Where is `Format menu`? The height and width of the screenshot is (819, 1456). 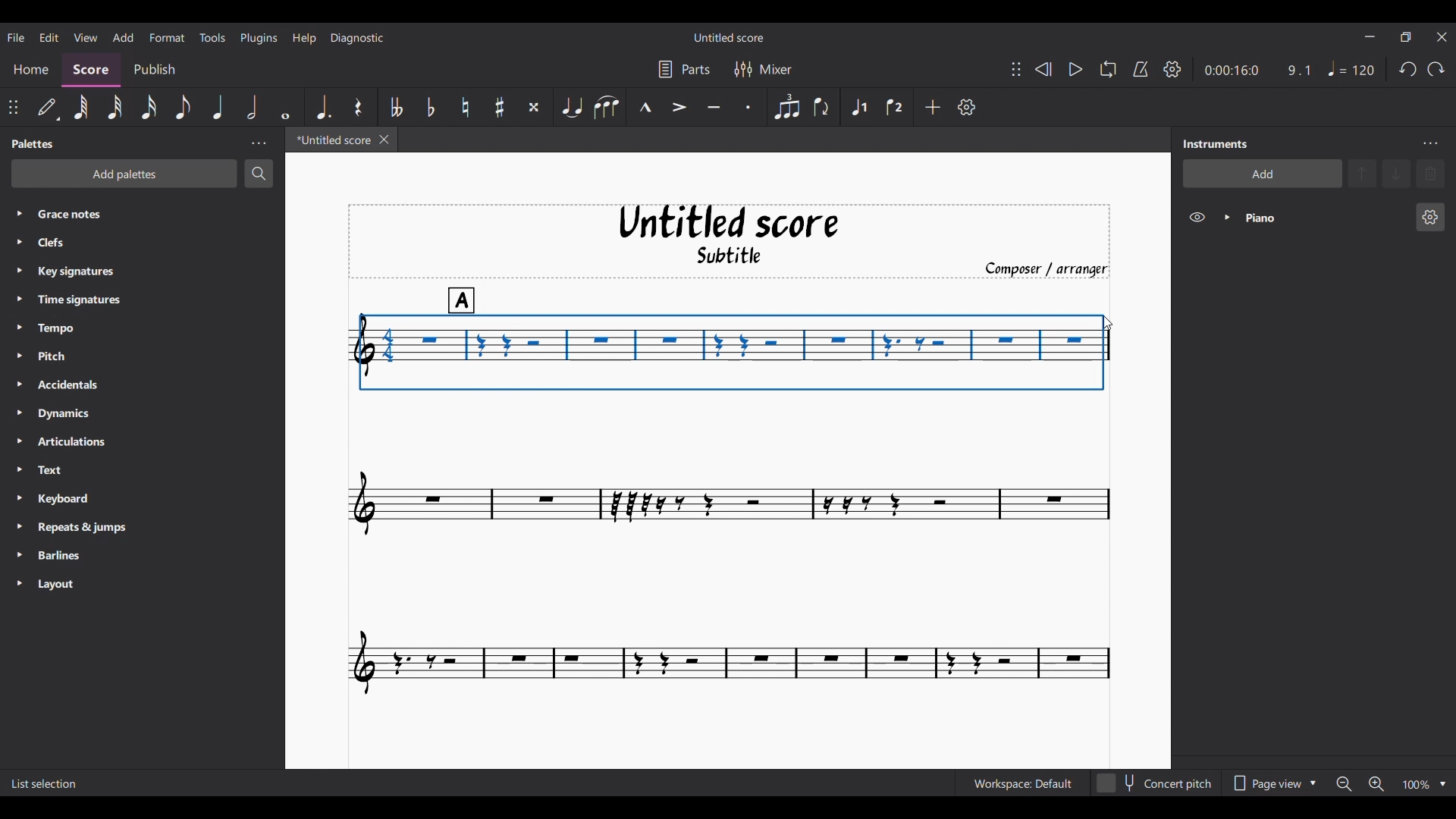
Format menu is located at coordinates (167, 36).